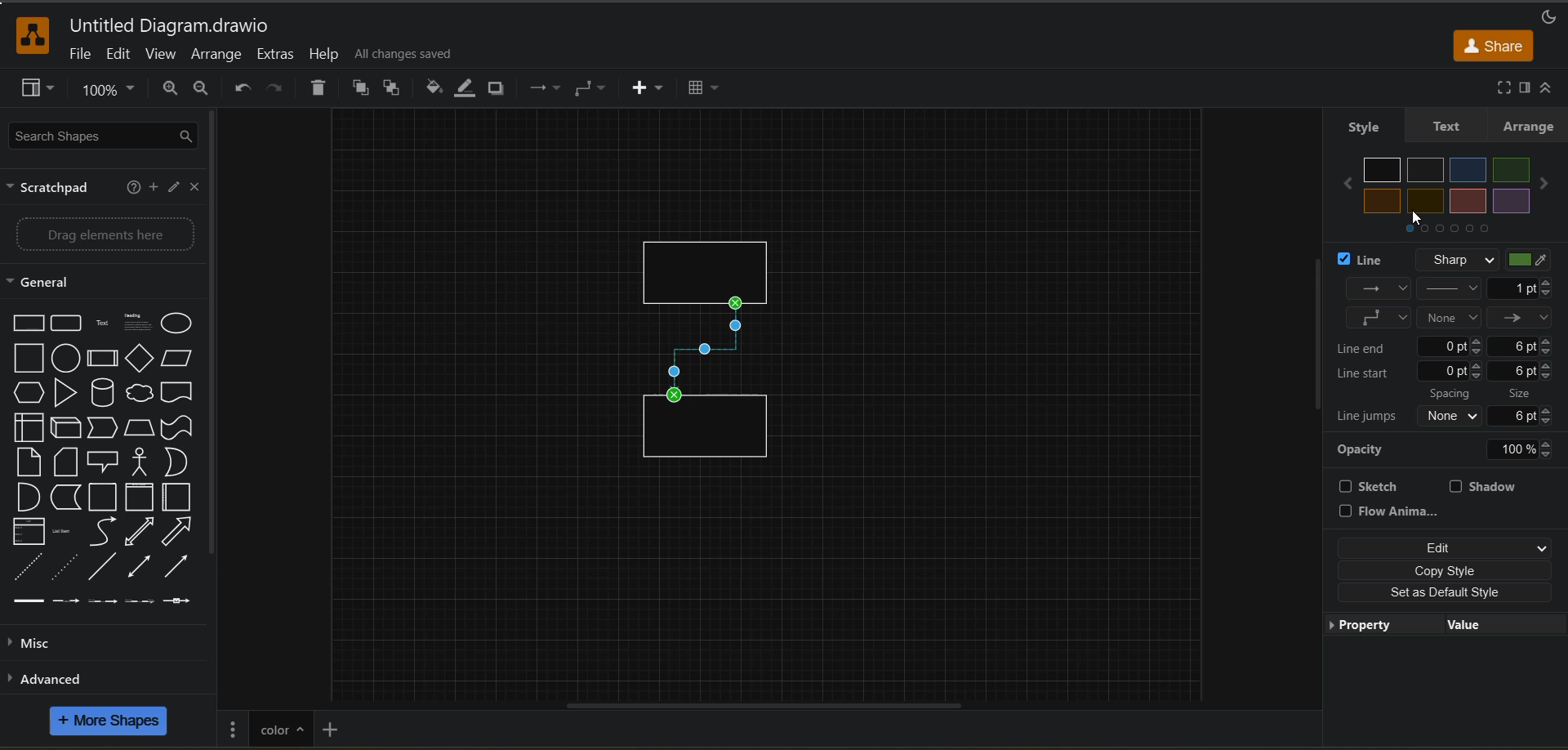 The width and height of the screenshot is (1568, 750). Describe the element at coordinates (105, 323) in the screenshot. I see `Text` at that location.